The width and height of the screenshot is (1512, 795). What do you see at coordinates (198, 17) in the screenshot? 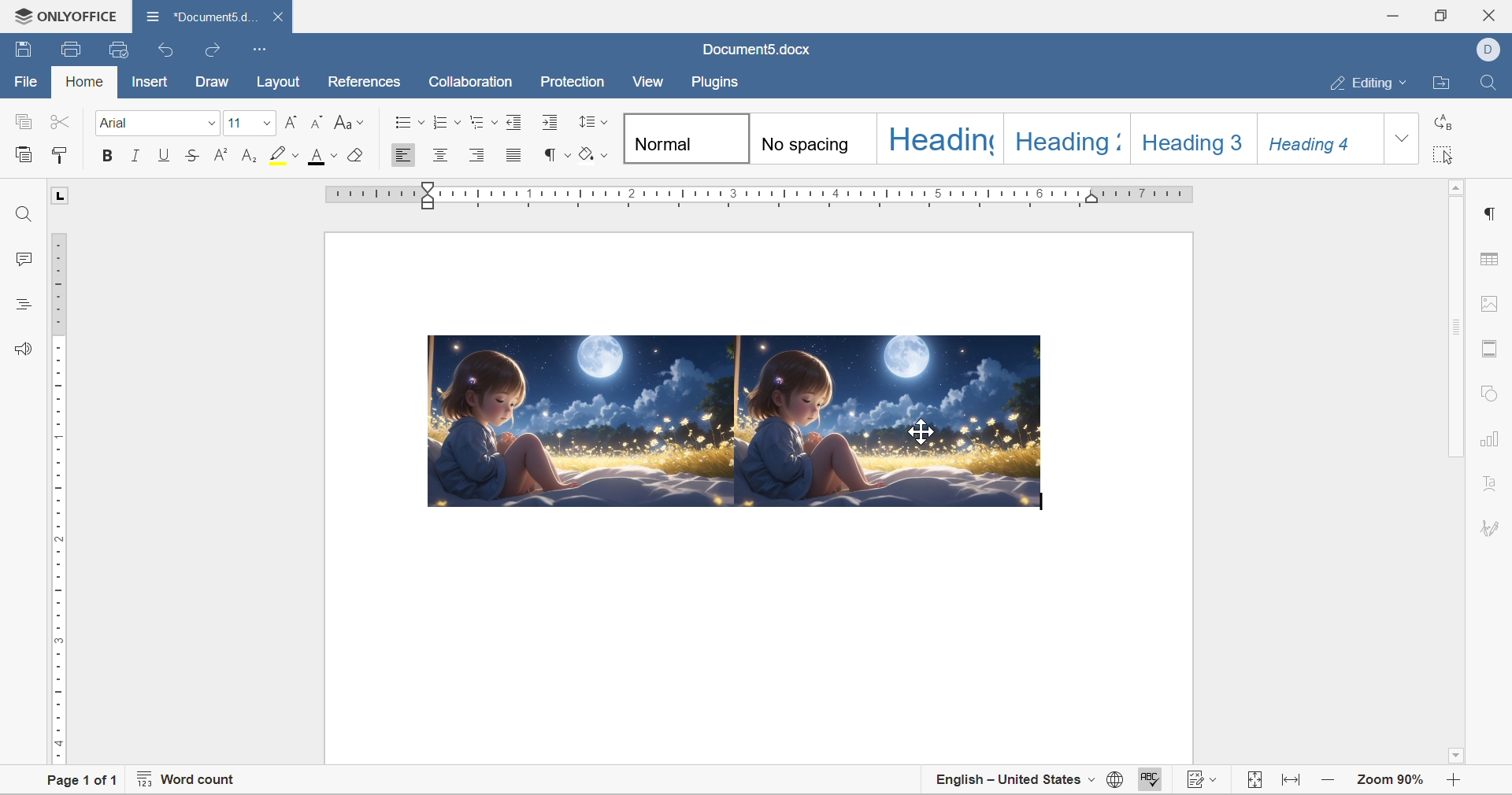
I see `document5.docx` at bounding box center [198, 17].